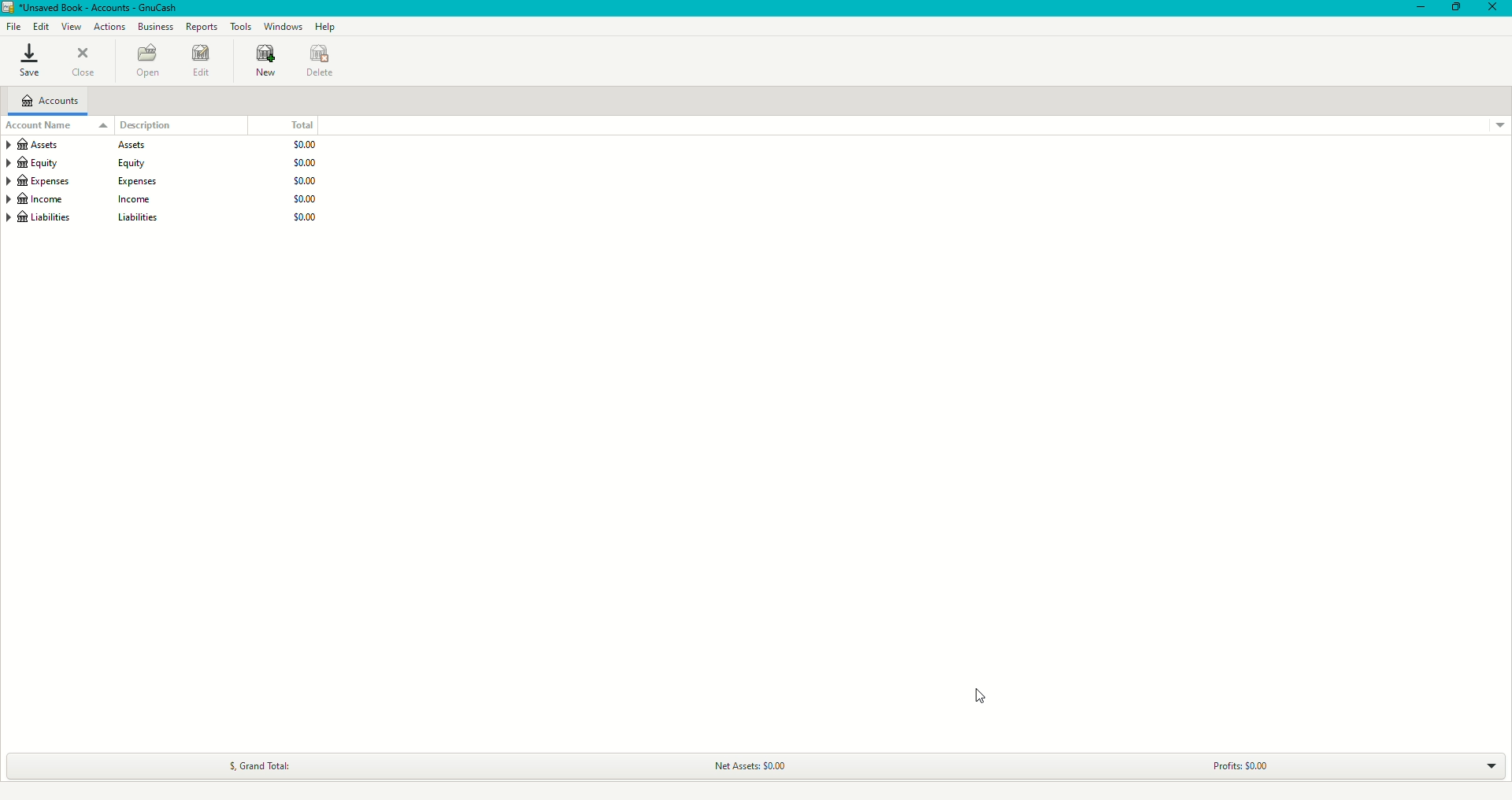 This screenshot has width=1512, height=800. I want to click on Save, so click(31, 61).